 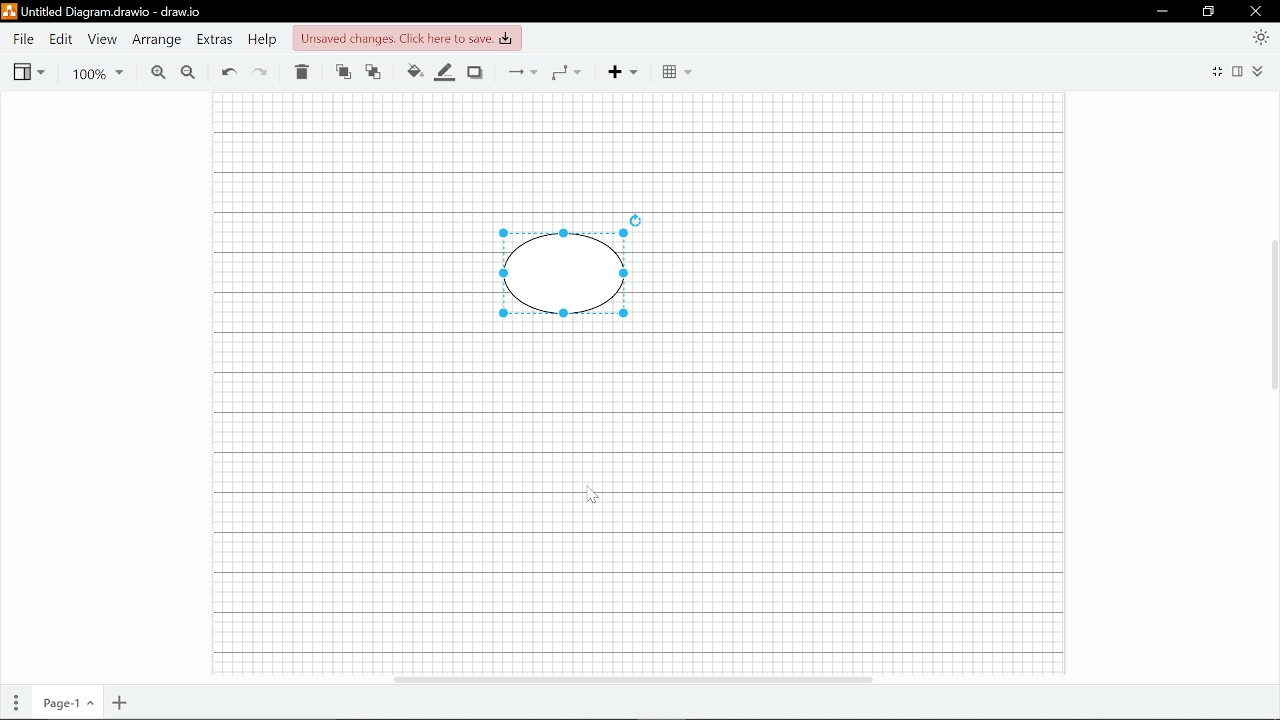 I want to click on Minimize, so click(x=1162, y=12).